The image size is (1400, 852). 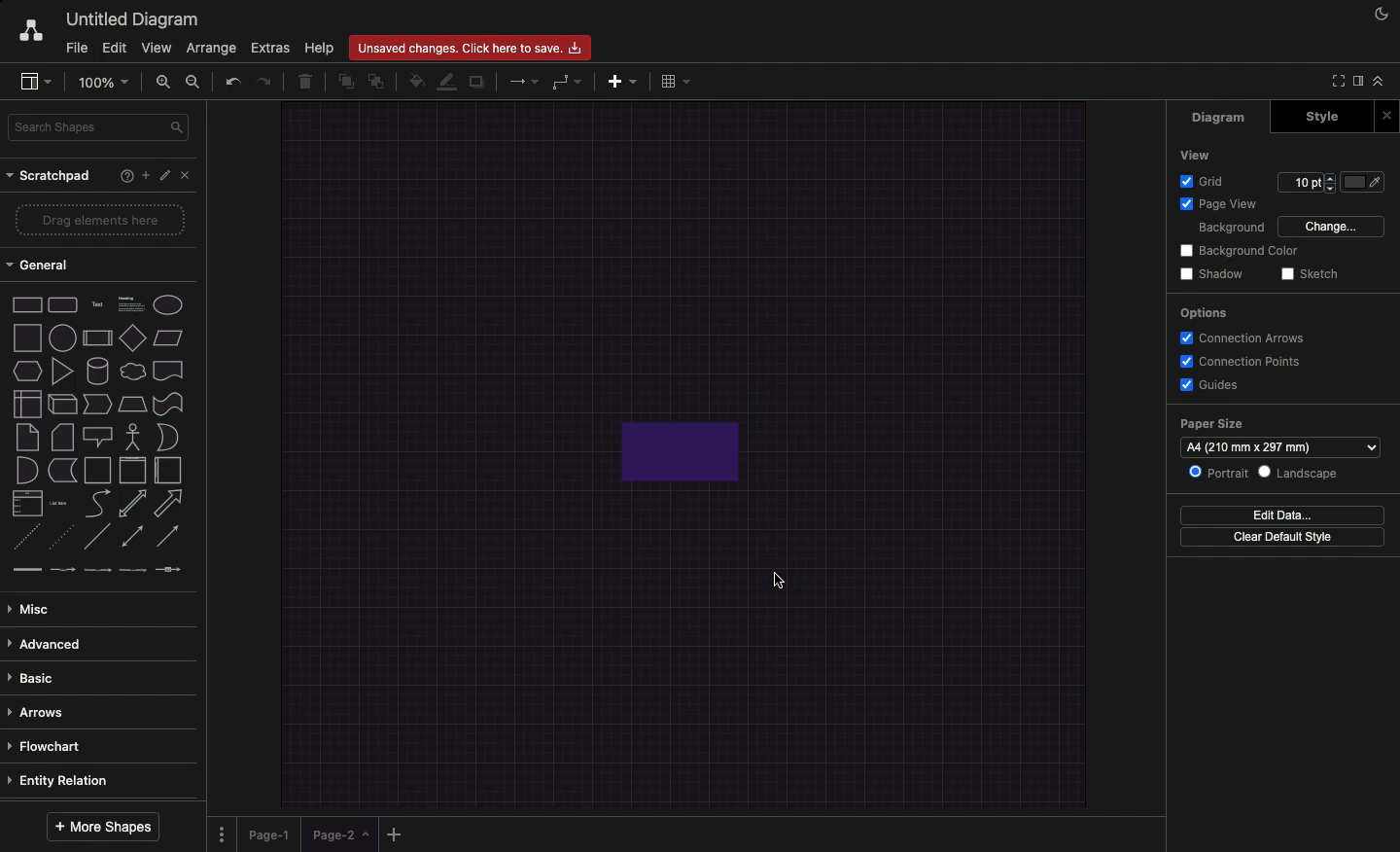 What do you see at coordinates (26, 369) in the screenshot?
I see `hexagone` at bounding box center [26, 369].